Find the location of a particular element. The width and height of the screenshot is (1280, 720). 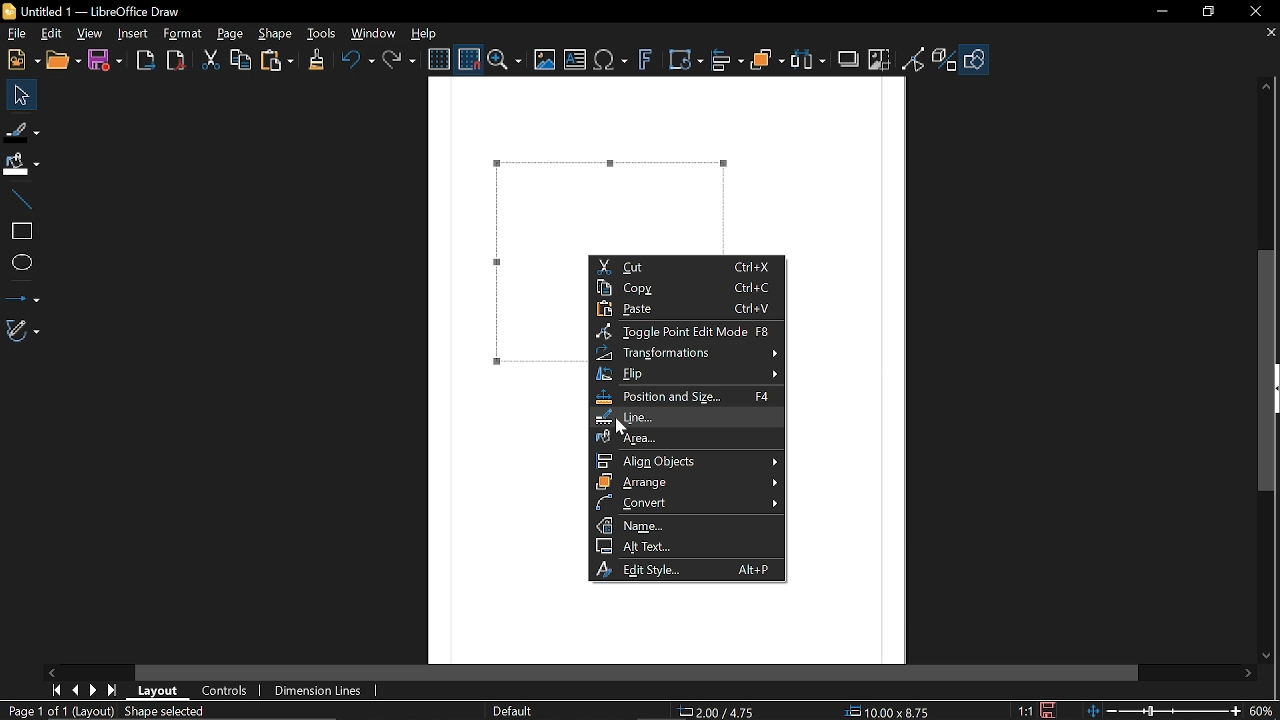

Arrange is located at coordinates (768, 60).